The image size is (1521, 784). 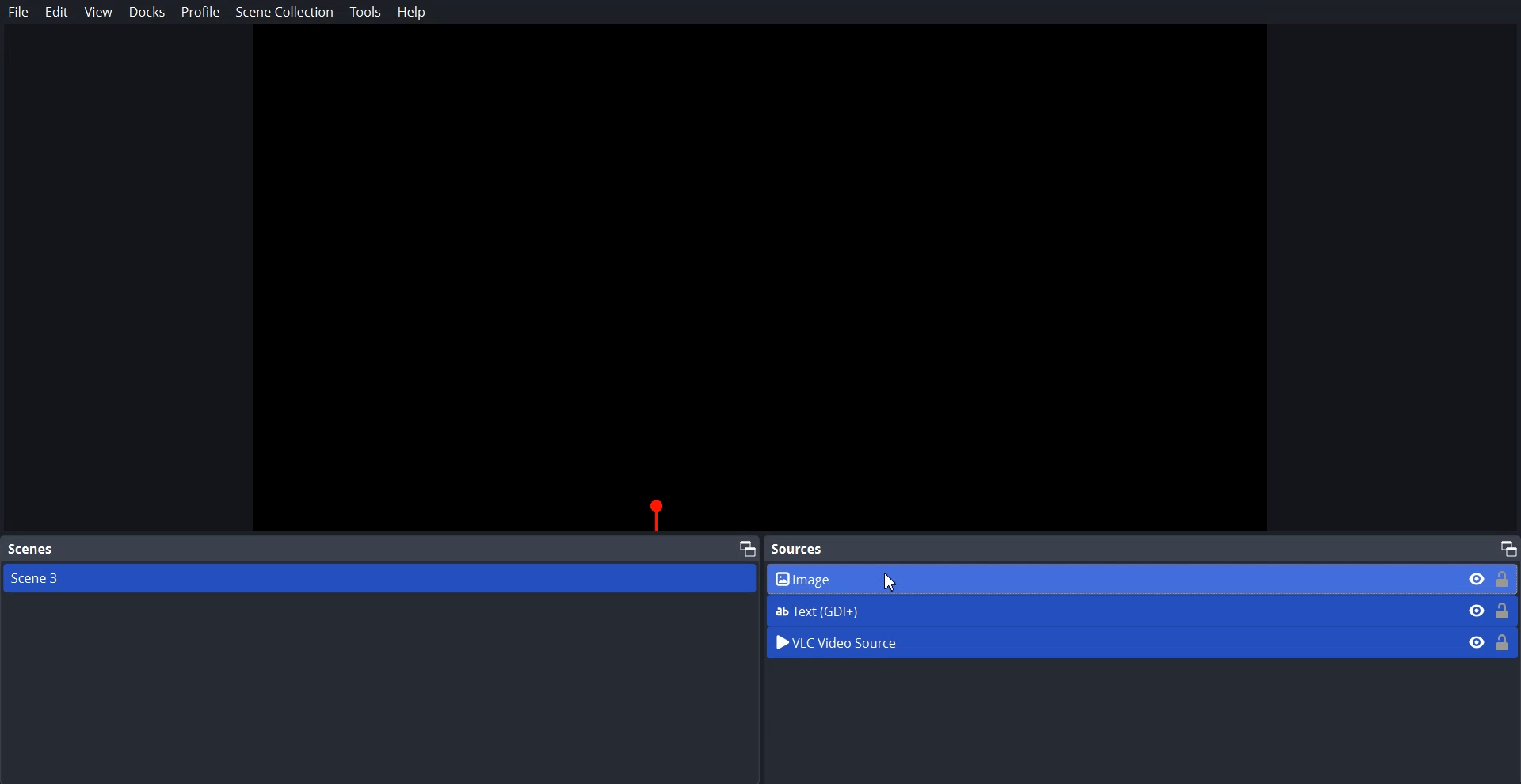 I want to click on Lock, so click(x=1504, y=641).